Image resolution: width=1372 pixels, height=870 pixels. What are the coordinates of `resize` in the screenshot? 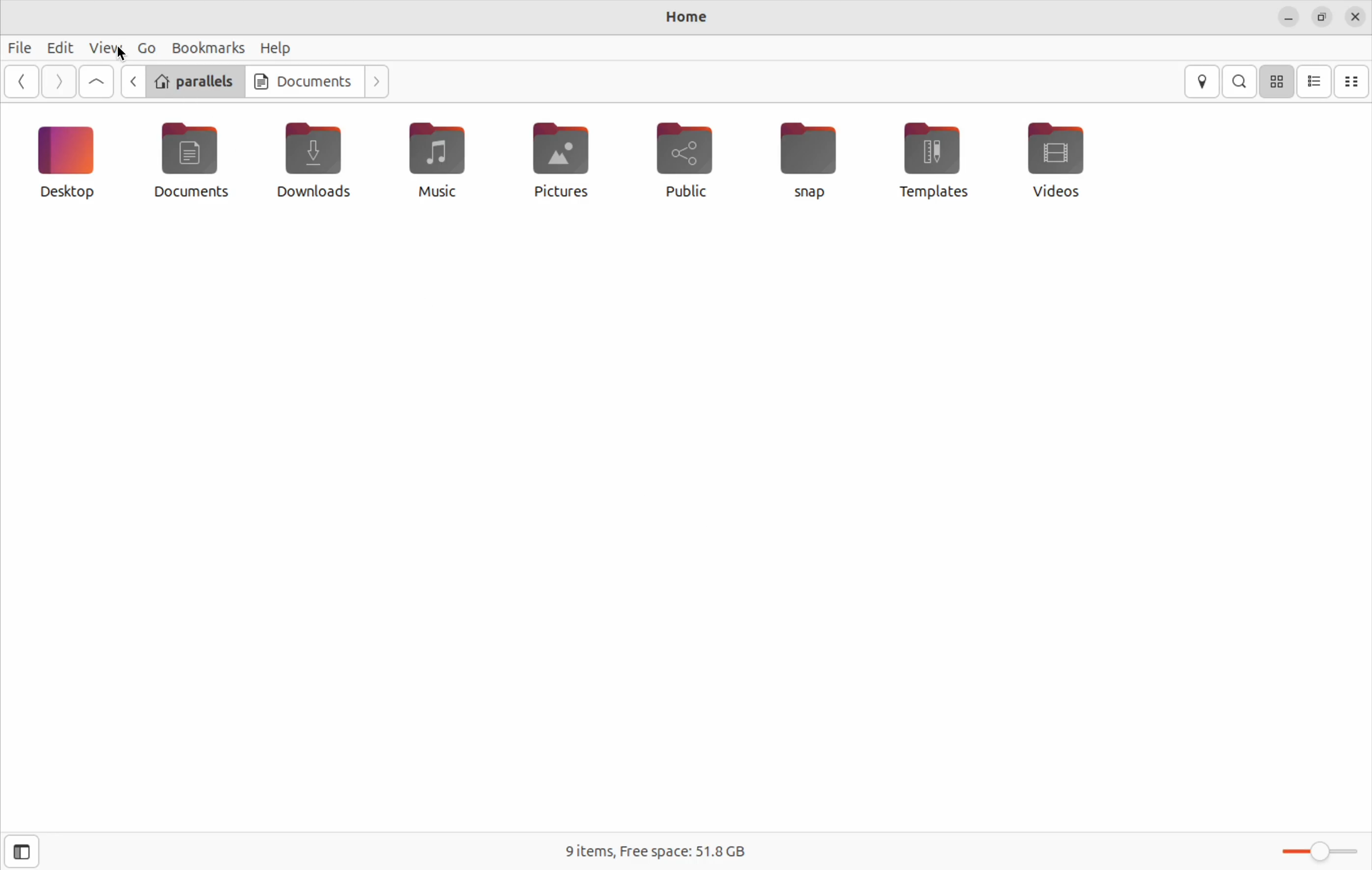 It's located at (1322, 18).